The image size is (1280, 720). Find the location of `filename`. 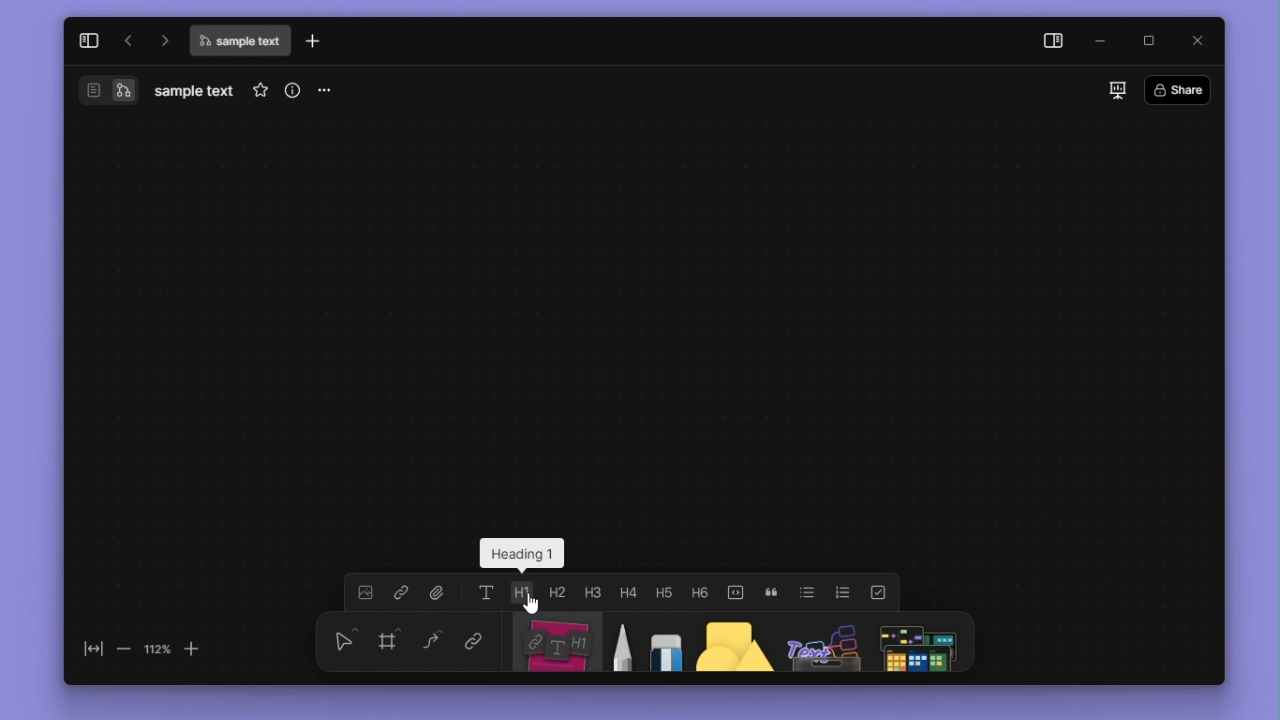

filename is located at coordinates (194, 92).